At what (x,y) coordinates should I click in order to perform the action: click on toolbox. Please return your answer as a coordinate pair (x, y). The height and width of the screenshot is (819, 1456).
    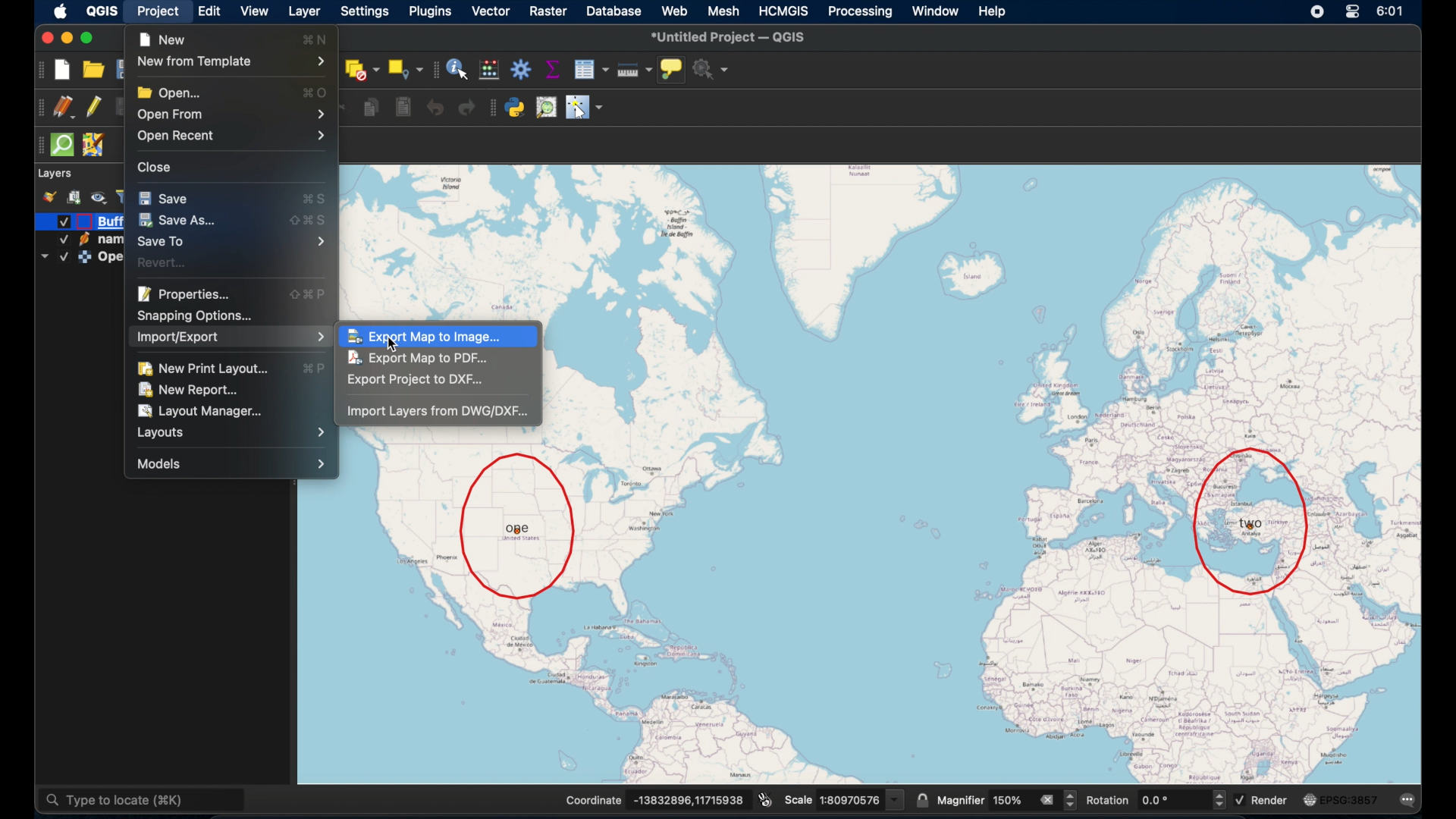
    Looking at the image, I should click on (522, 71).